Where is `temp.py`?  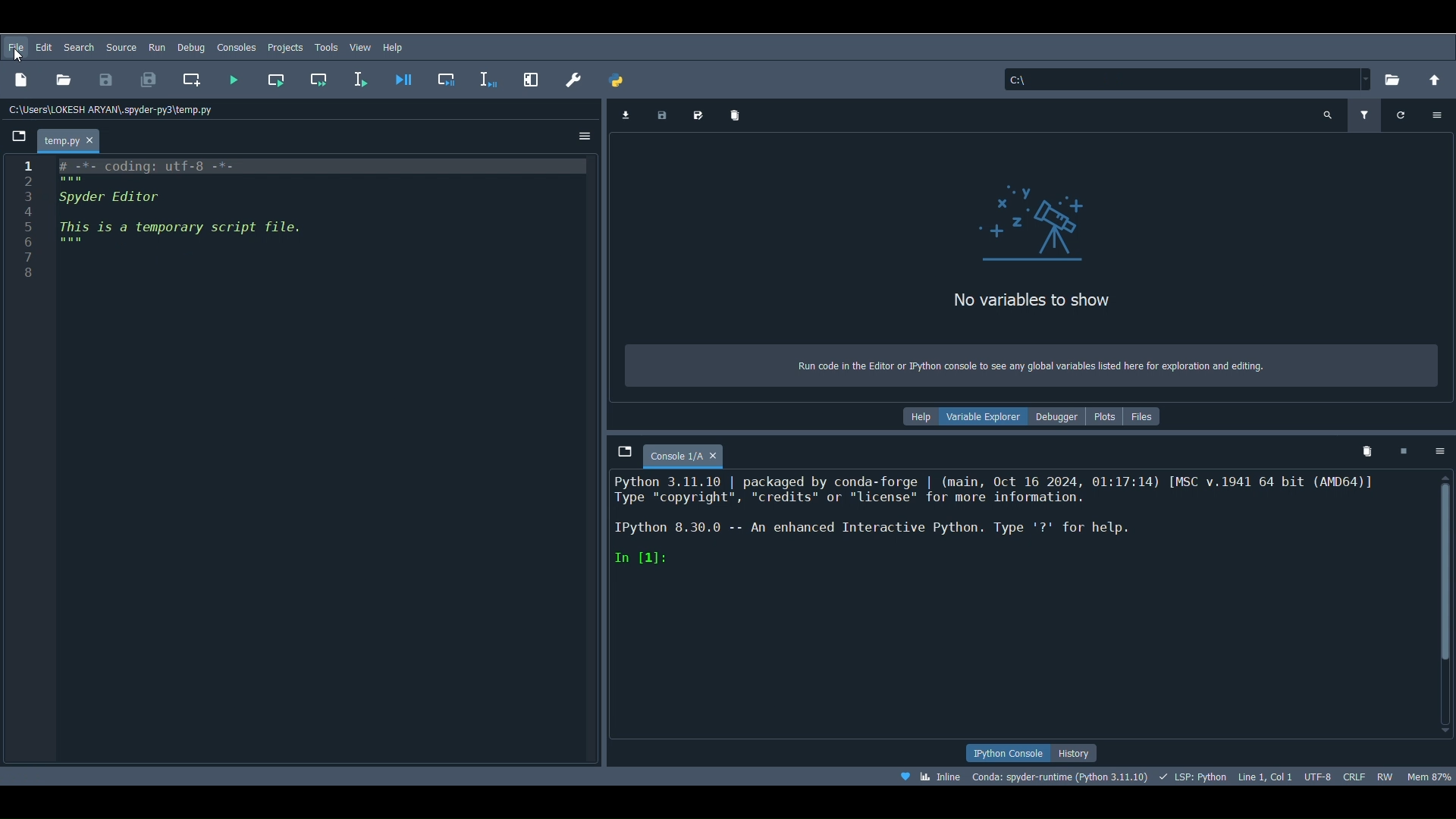 temp.py is located at coordinates (79, 137).